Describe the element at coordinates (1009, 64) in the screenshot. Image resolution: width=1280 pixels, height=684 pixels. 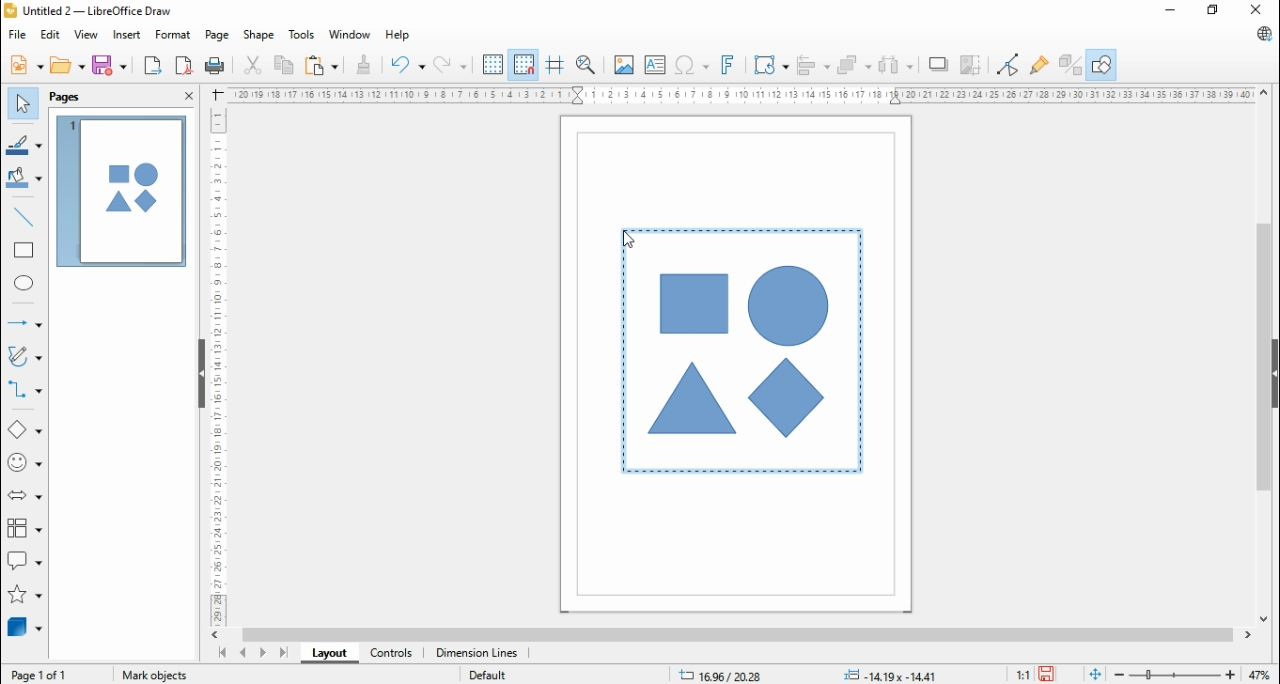
I see `toggle point edit mode` at that location.